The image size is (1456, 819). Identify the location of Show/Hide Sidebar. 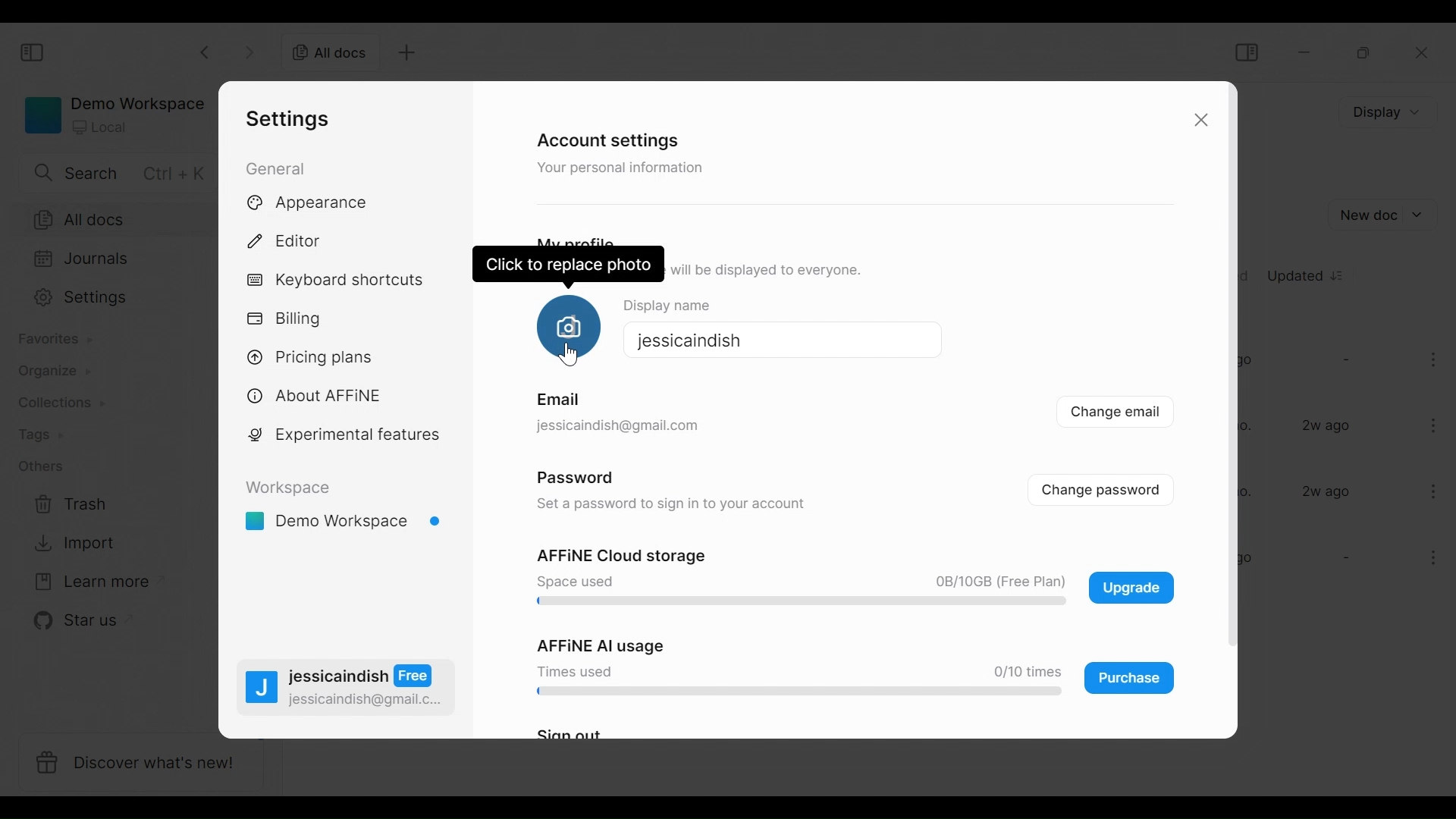
(35, 53).